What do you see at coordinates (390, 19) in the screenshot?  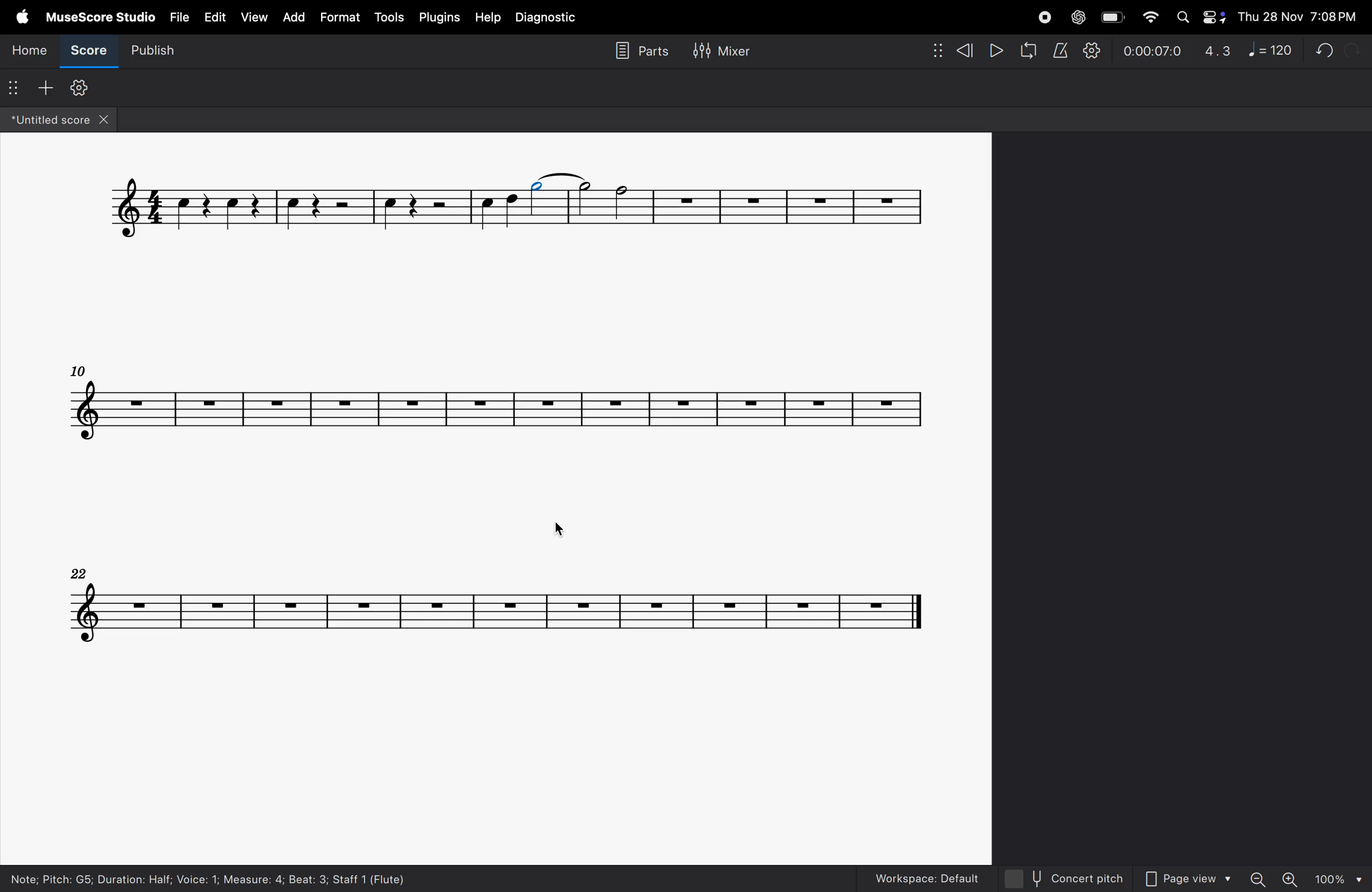 I see `tools` at bounding box center [390, 19].